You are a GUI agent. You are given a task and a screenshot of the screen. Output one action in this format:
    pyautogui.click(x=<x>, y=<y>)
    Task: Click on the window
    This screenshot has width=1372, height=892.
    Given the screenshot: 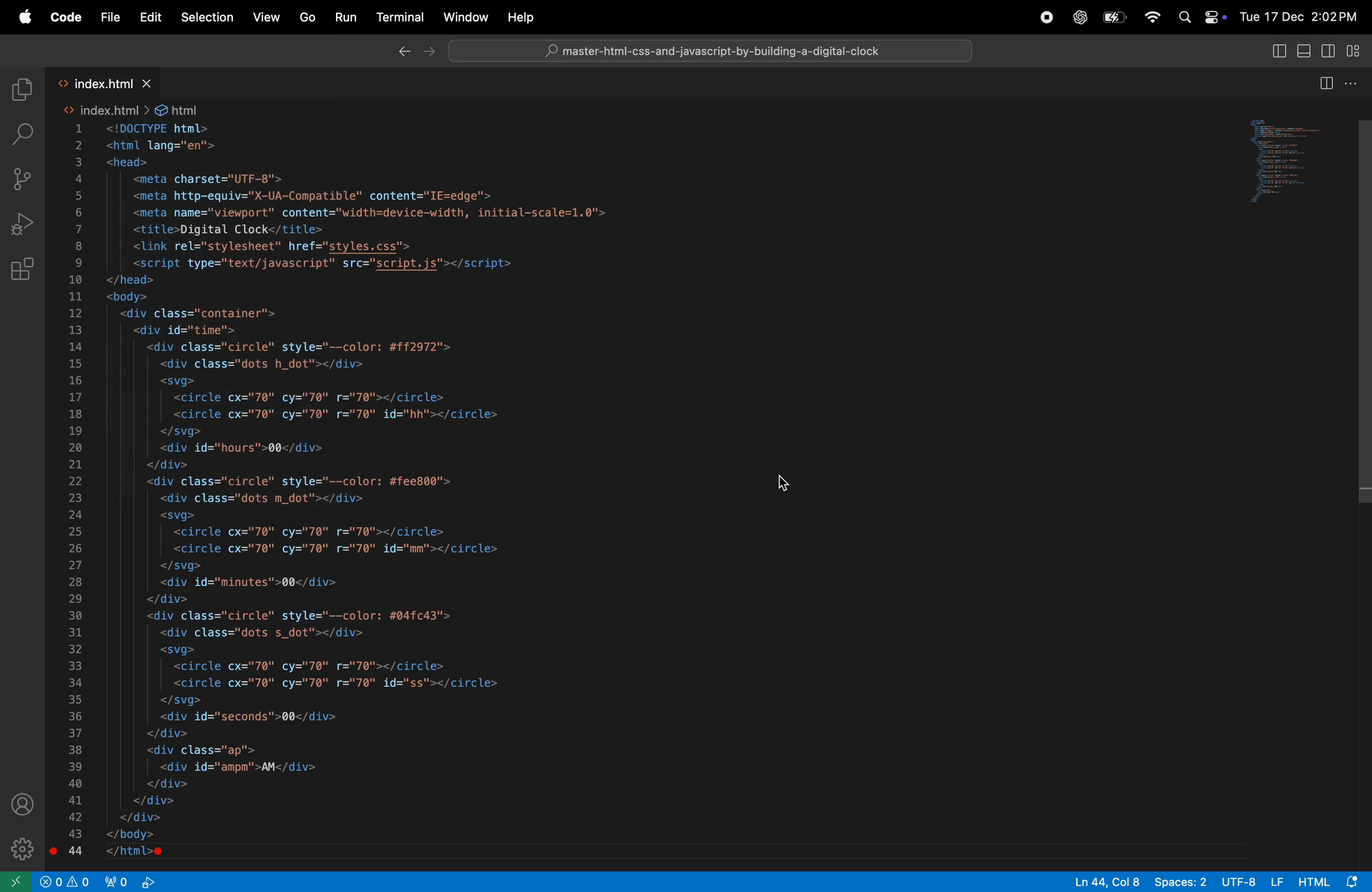 What is the action you would take?
    pyautogui.click(x=463, y=17)
    